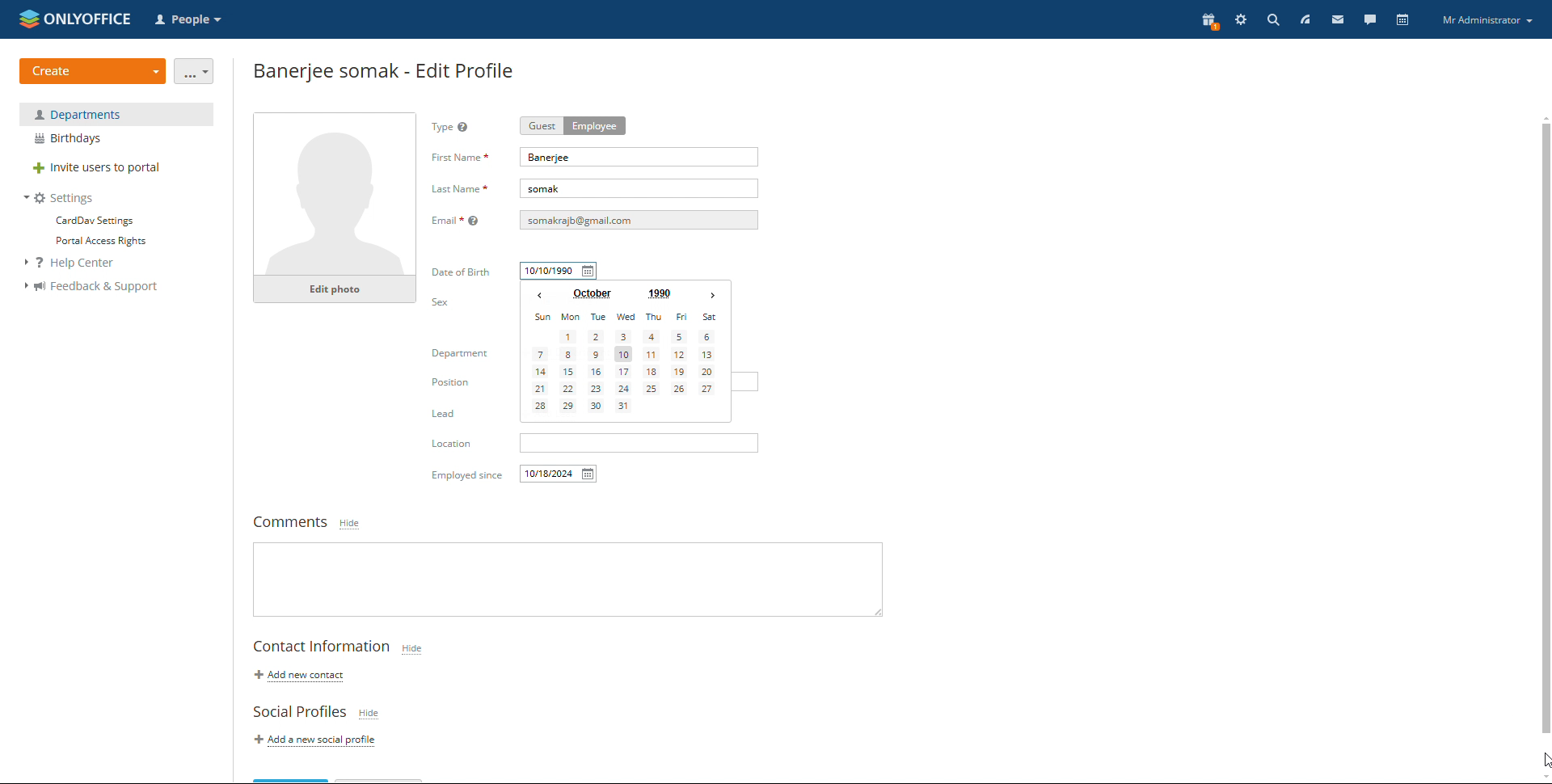 Image resolution: width=1552 pixels, height=784 pixels. Describe the element at coordinates (541, 295) in the screenshot. I see `previous month` at that location.